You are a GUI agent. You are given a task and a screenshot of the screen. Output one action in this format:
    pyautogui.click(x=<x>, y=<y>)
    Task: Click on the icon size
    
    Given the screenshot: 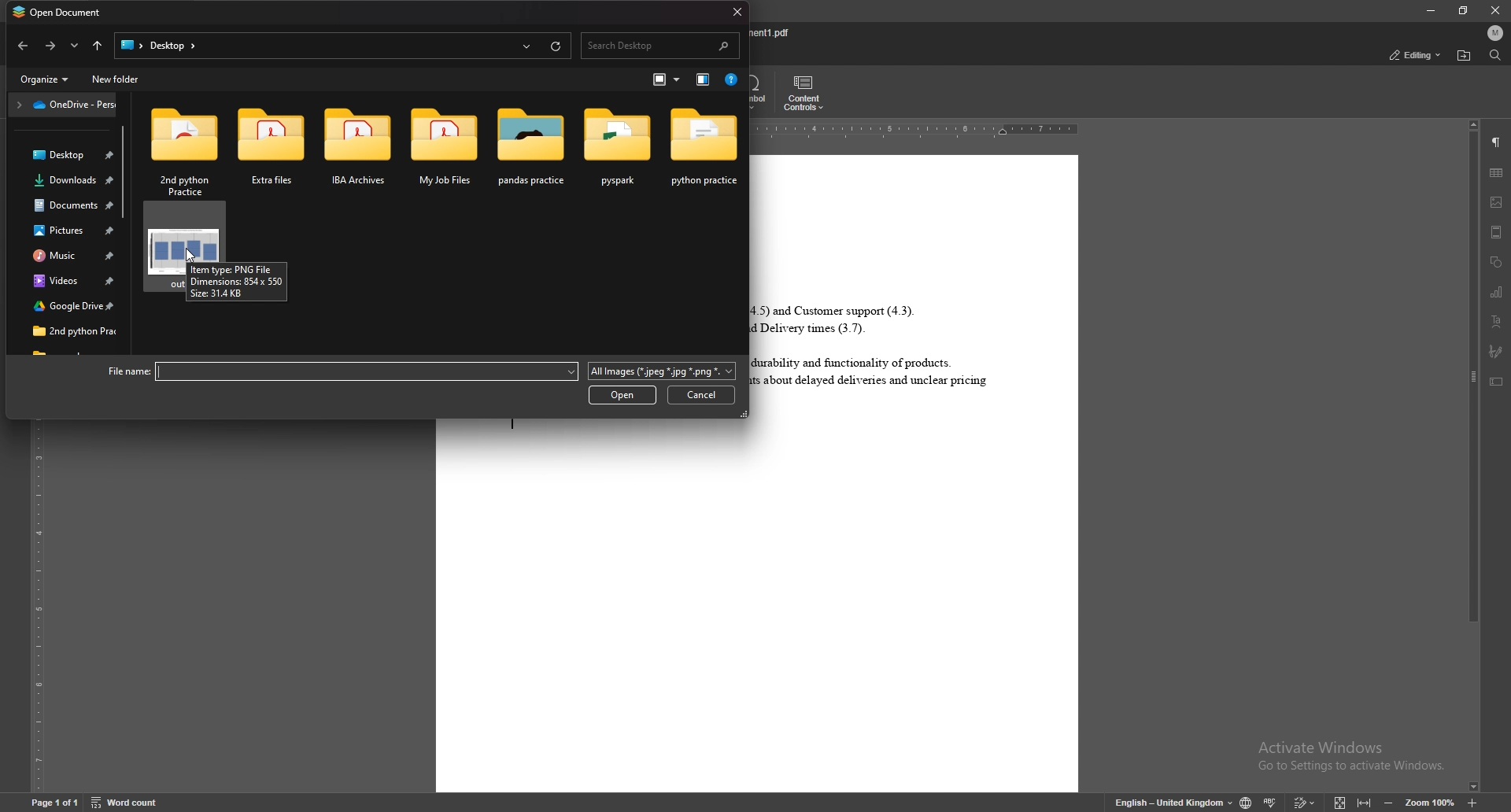 What is the action you would take?
    pyautogui.click(x=663, y=79)
    